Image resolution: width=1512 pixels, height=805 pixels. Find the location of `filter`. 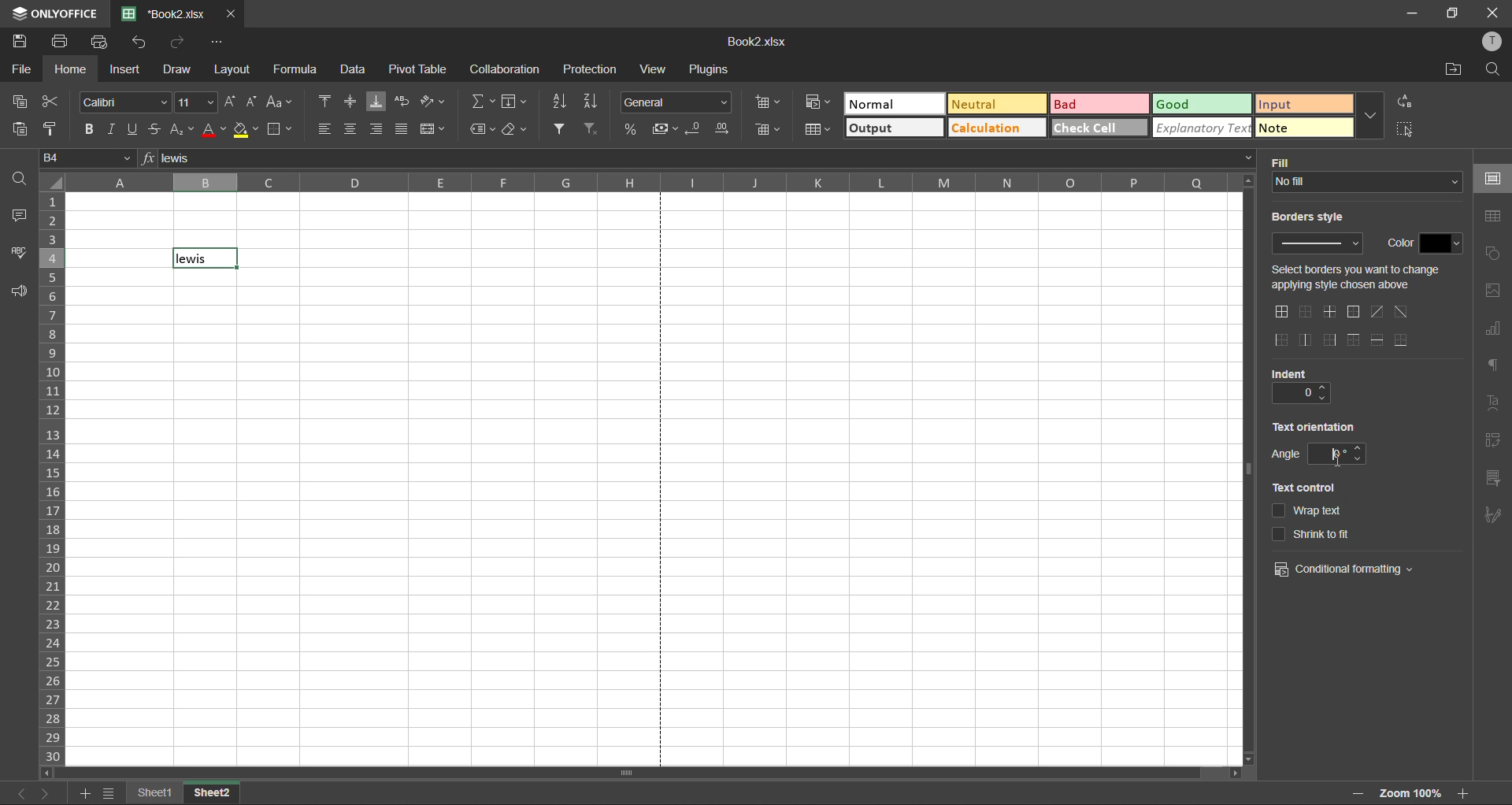

filter is located at coordinates (560, 129).